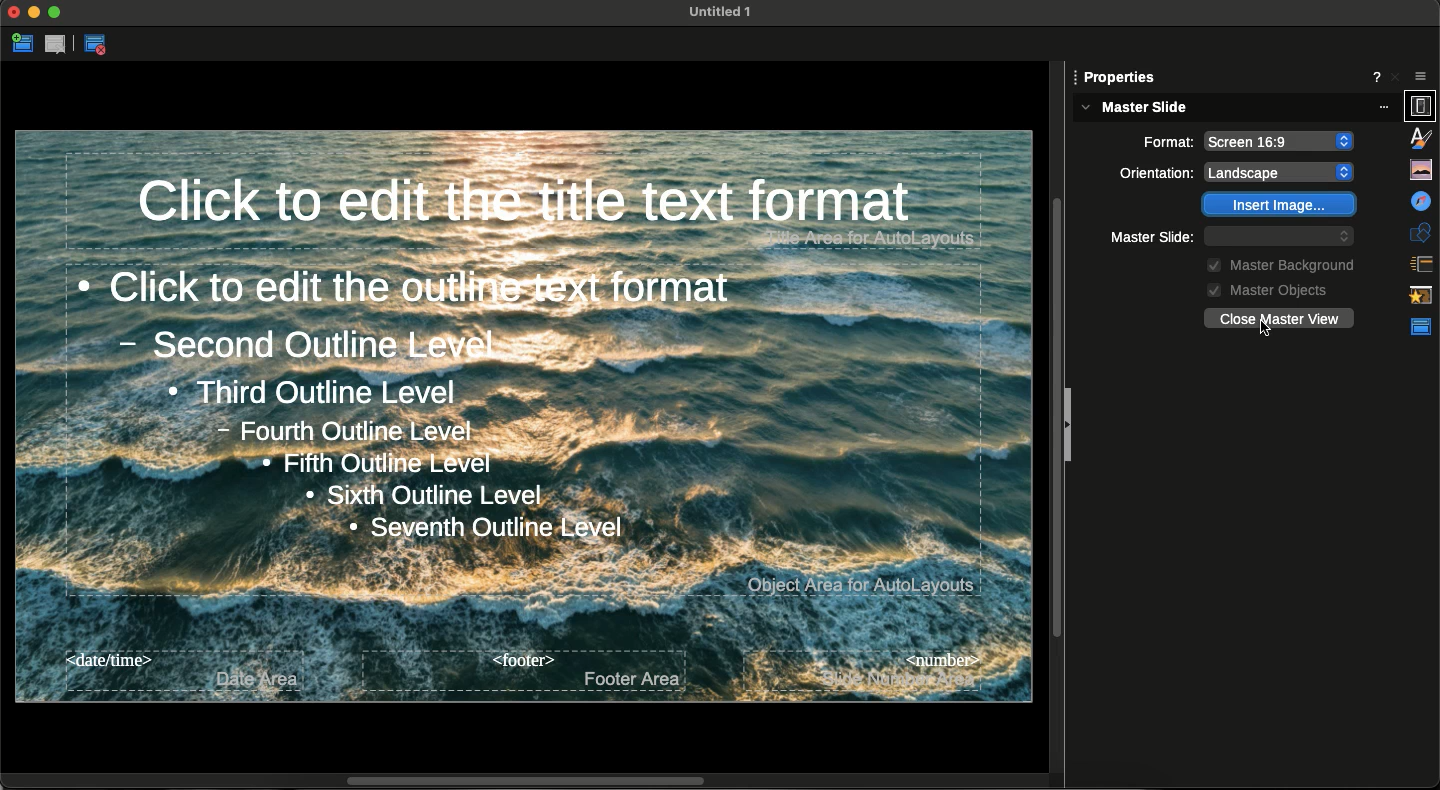 The height and width of the screenshot is (790, 1440). I want to click on None, so click(1287, 171).